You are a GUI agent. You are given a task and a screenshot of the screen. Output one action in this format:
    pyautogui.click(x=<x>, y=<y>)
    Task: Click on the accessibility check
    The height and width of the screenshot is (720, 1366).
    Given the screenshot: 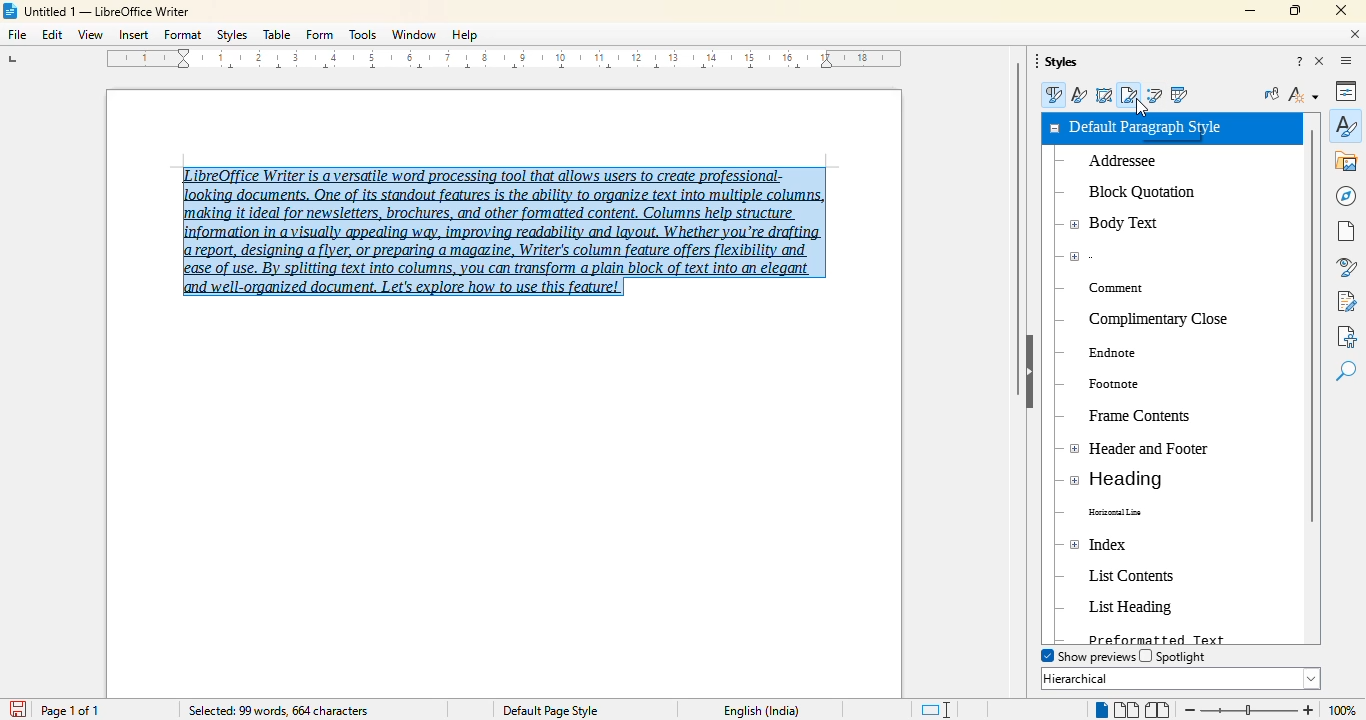 What is the action you would take?
    pyautogui.click(x=1346, y=336)
    